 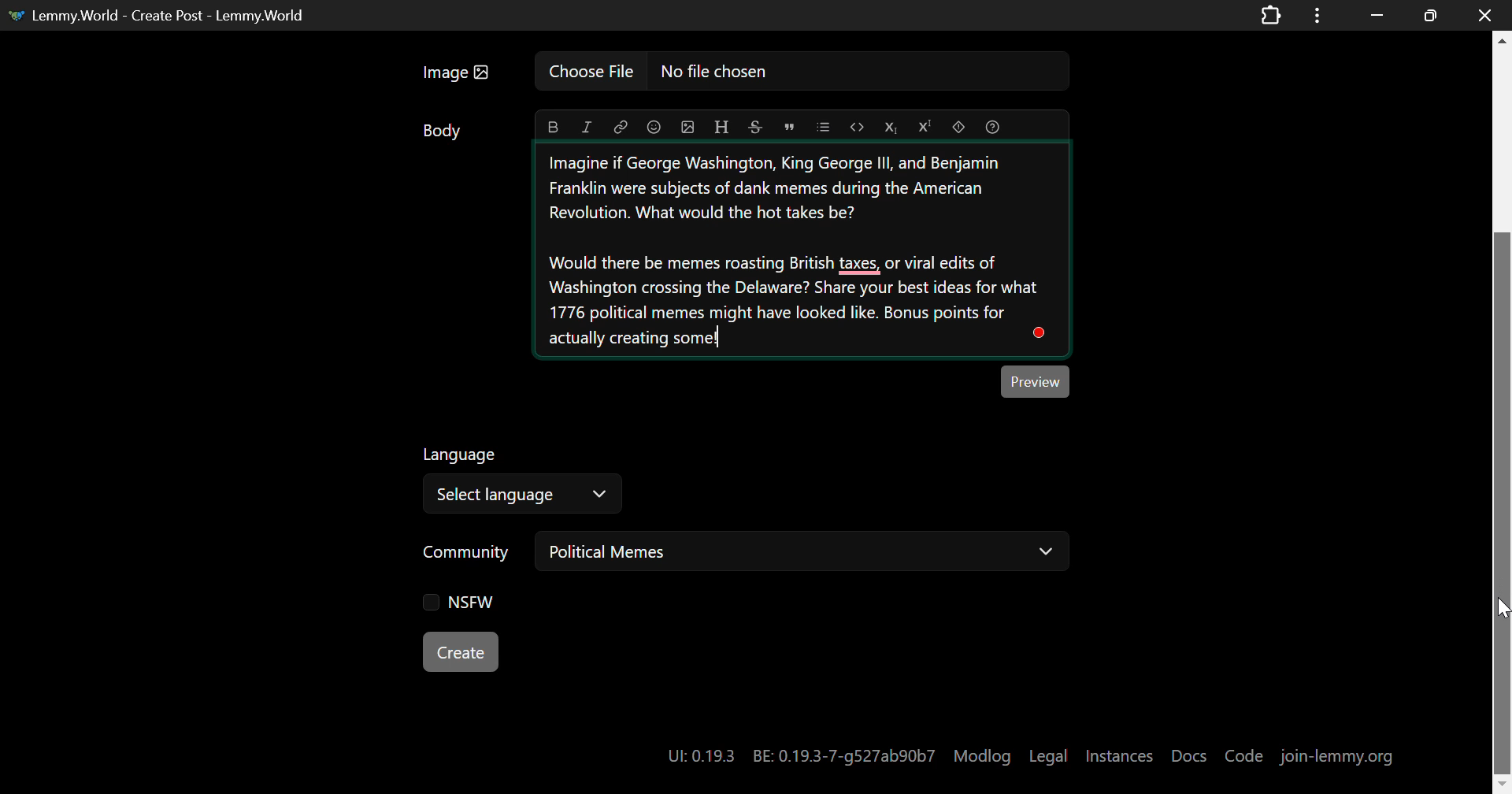 What do you see at coordinates (552, 126) in the screenshot?
I see `Bold` at bounding box center [552, 126].